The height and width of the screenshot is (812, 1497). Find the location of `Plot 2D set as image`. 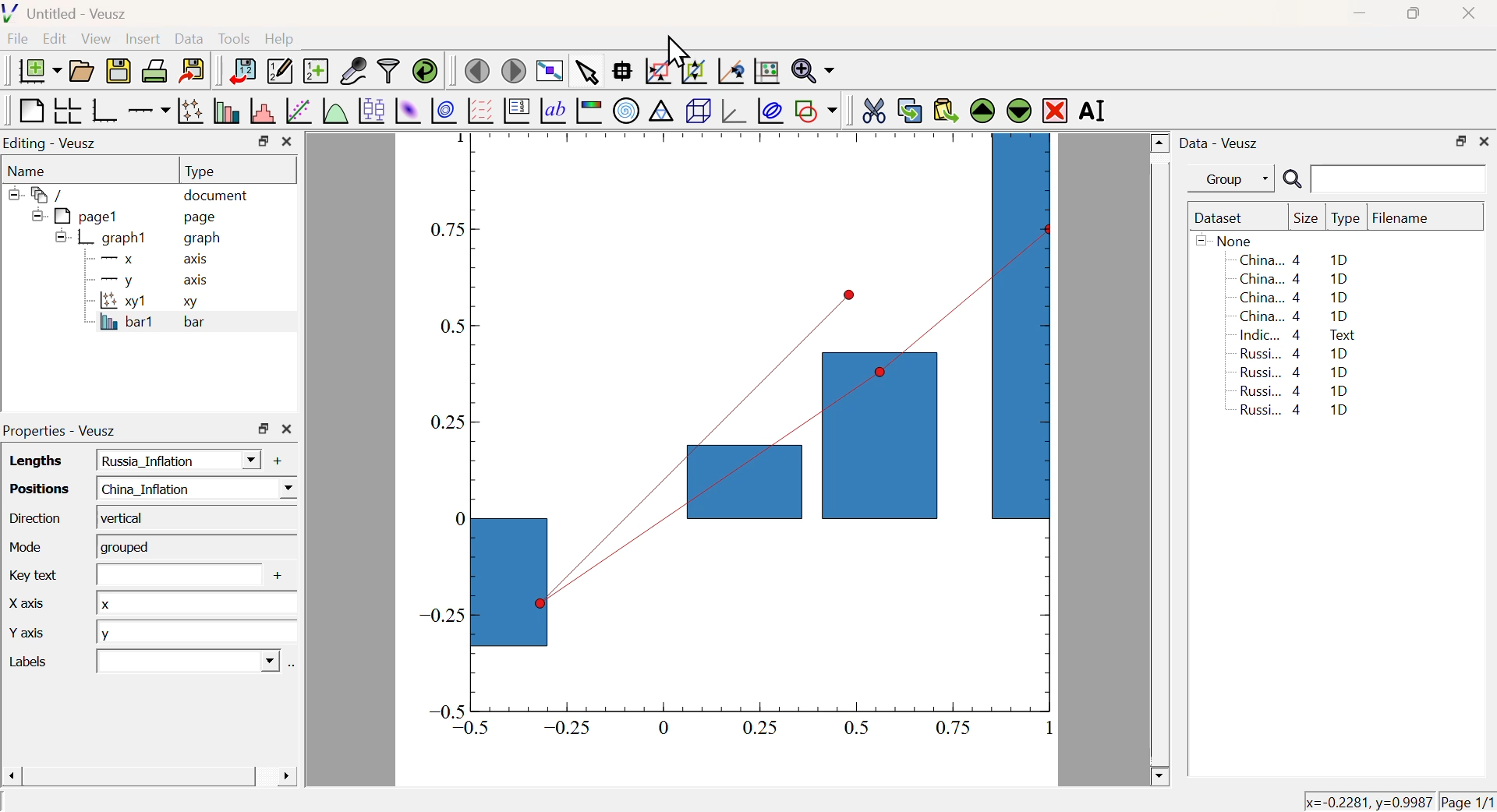

Plot 2D set as image is located at coordinates (407, 111).